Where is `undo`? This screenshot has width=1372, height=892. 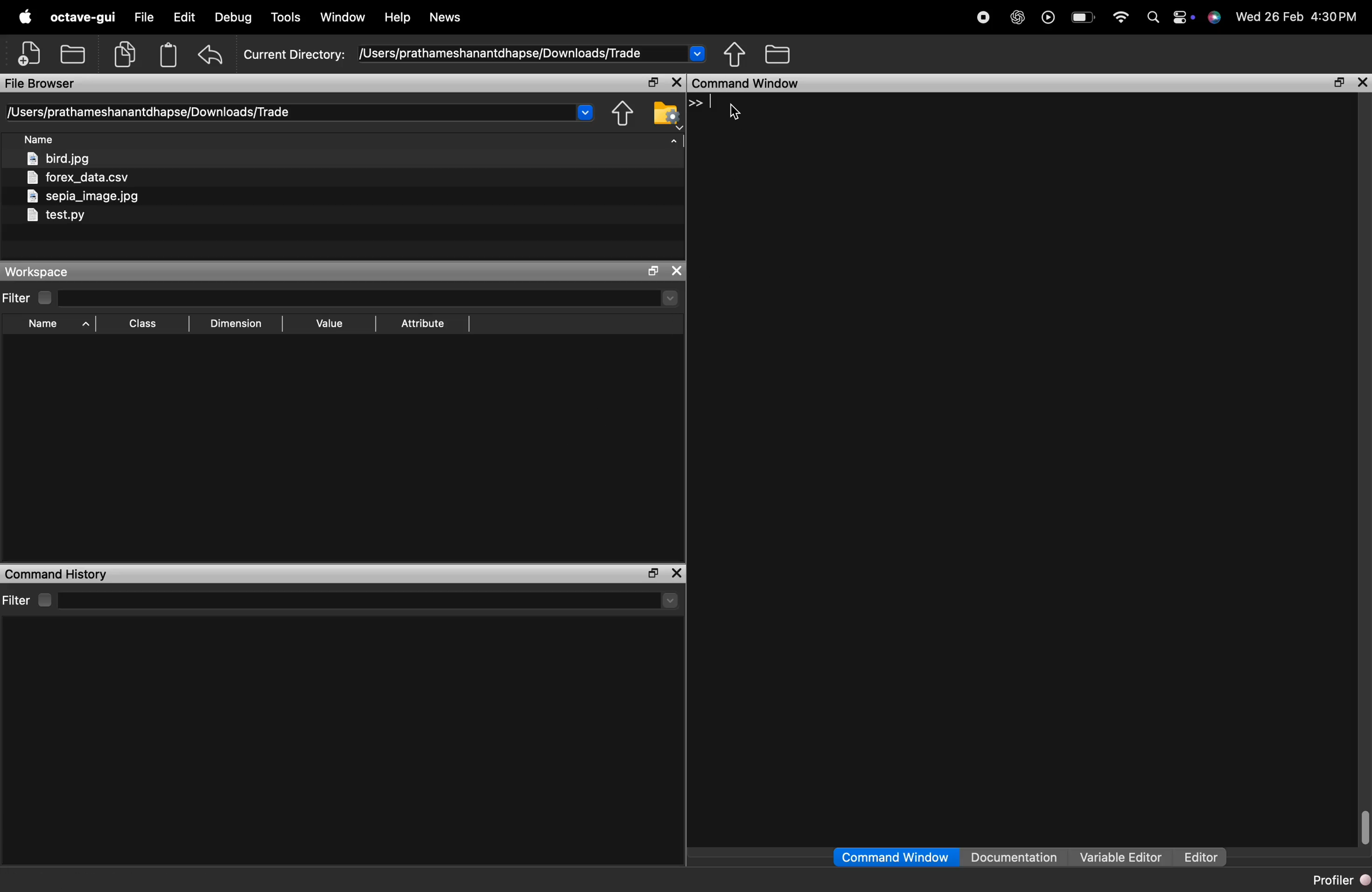 undo is located at coordinates (210, 54).